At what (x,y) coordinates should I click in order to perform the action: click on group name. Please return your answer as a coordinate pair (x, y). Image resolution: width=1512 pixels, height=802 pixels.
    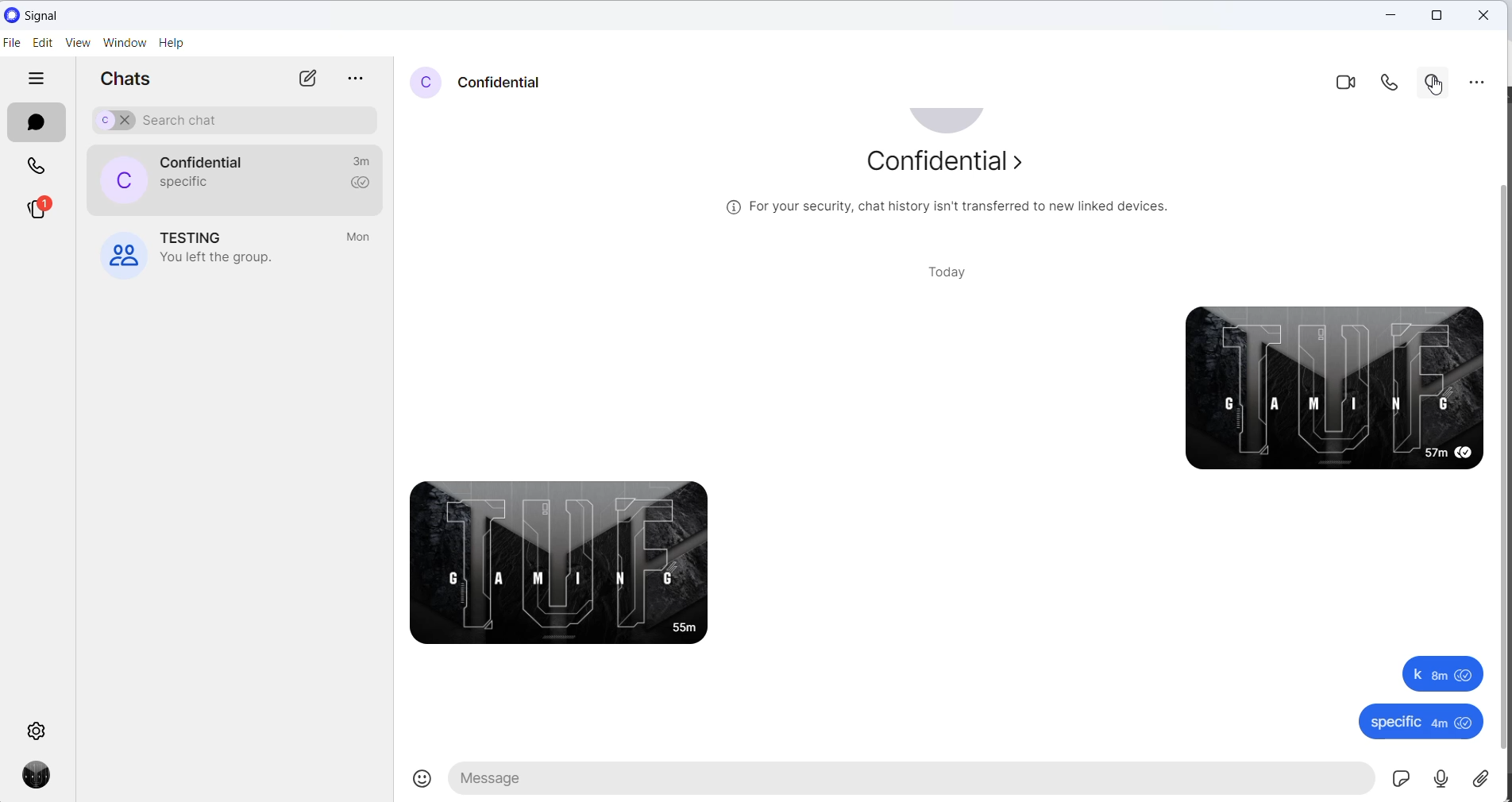
    Looking at the image, I should click on (193, 237).